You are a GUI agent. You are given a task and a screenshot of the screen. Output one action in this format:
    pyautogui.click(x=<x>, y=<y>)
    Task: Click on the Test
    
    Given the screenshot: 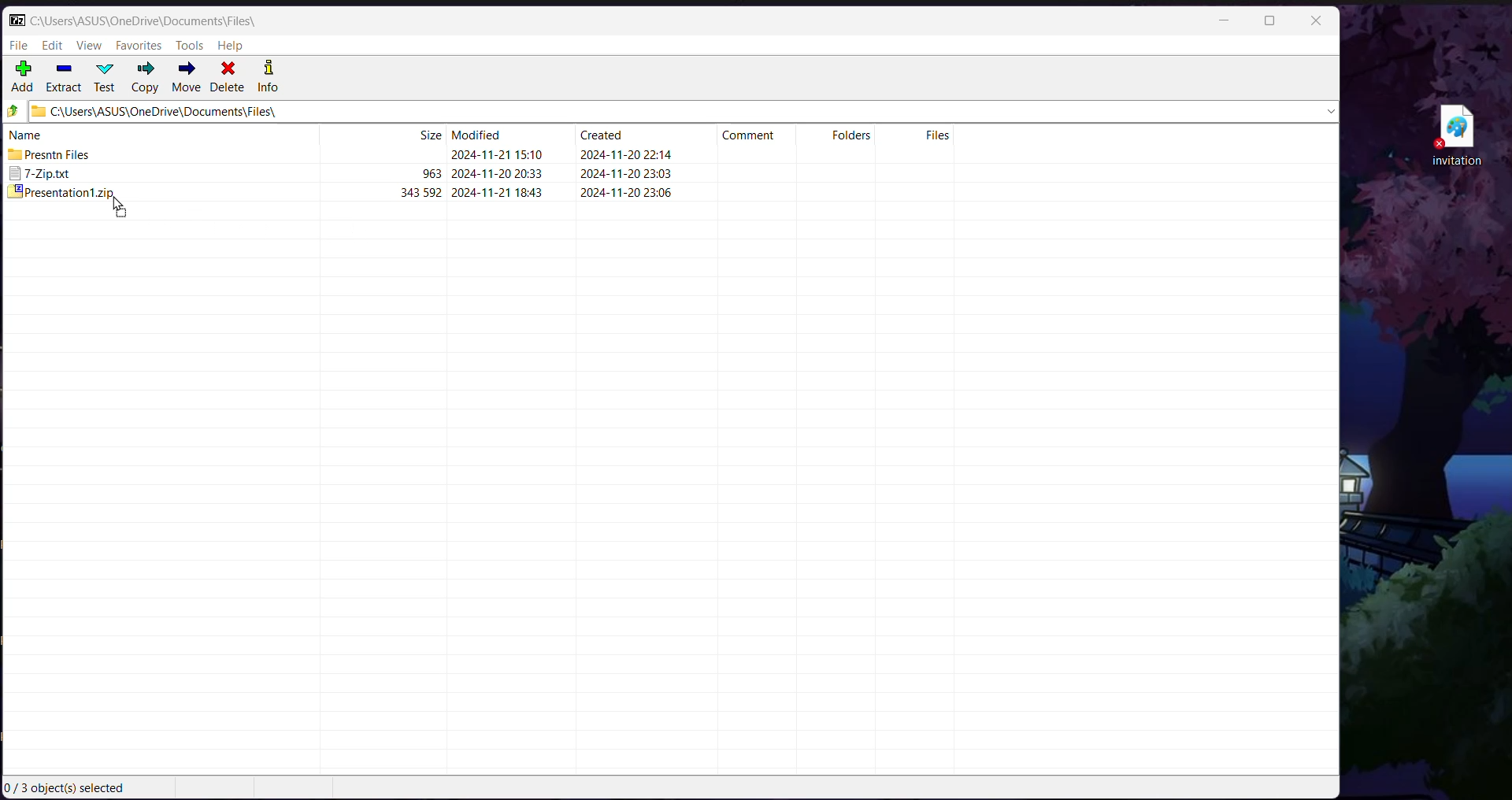 What is the action you would take?
    pyautogui.click(x=106, y=76)
    